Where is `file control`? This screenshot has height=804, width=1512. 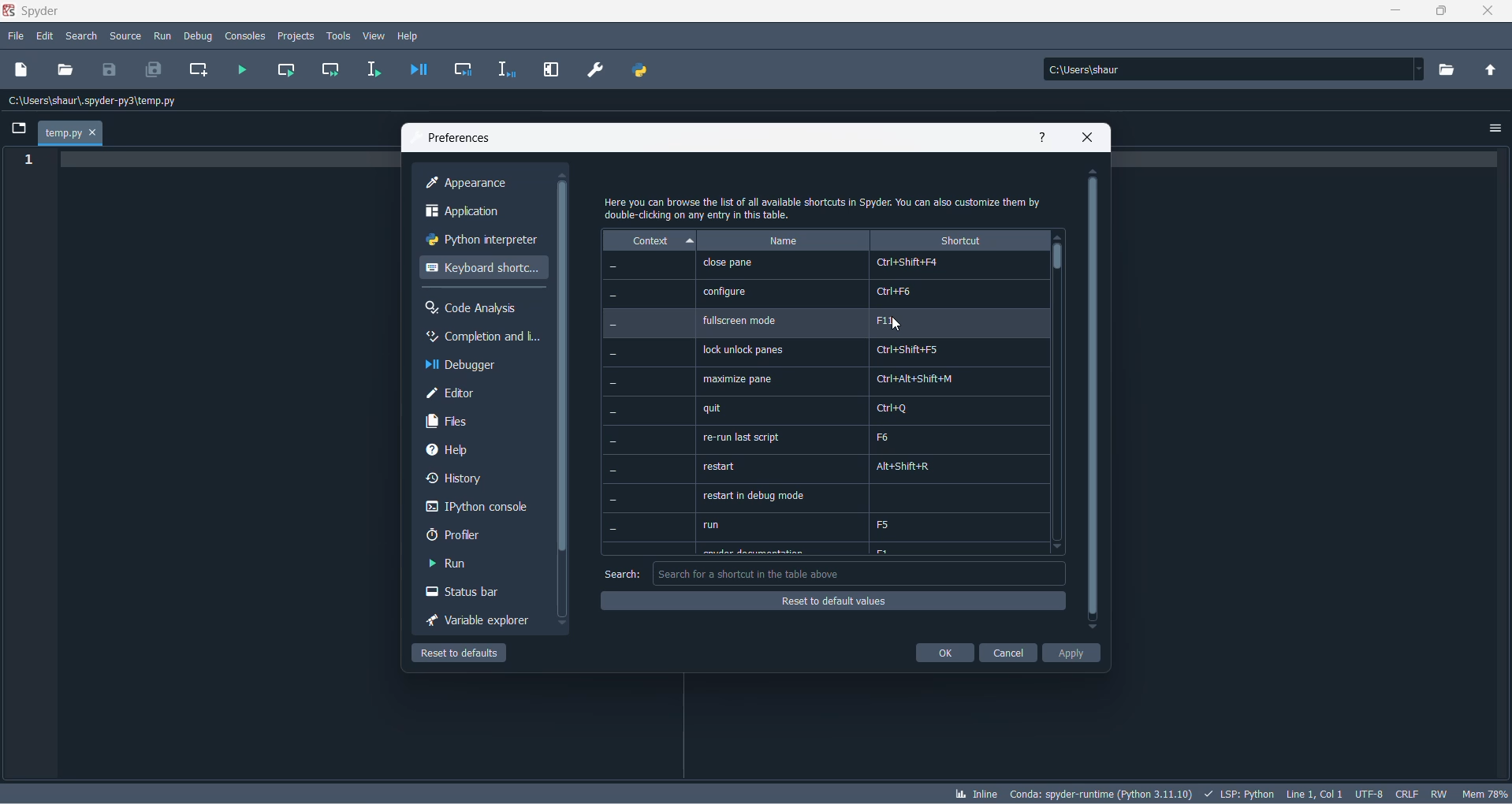
file control is located at coordinates (1443, 793).